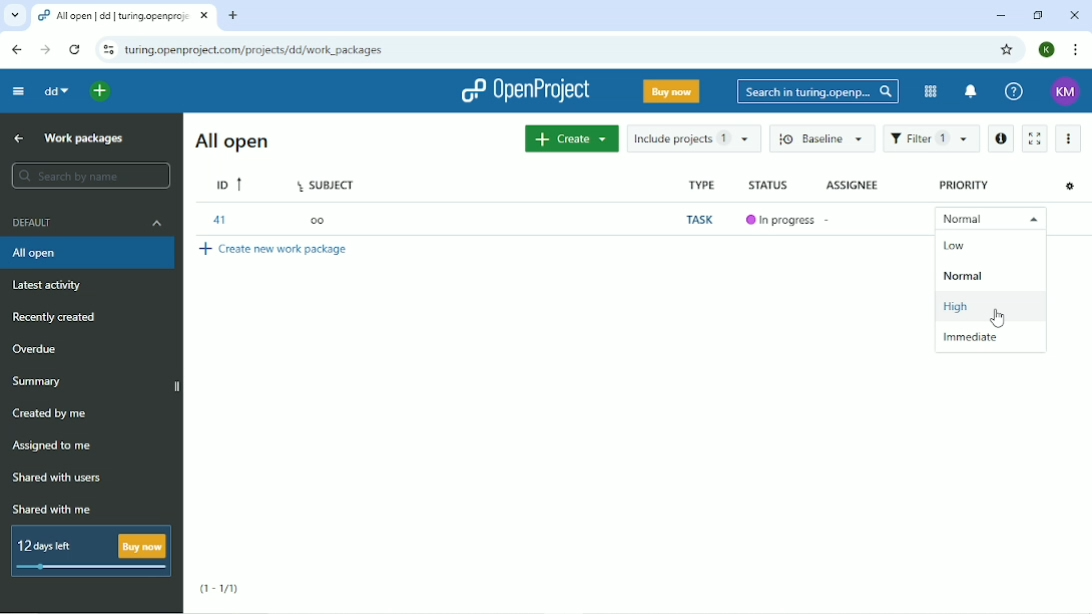  What do you see at coordinates (326, 184) in the screenshot?
I see `Subject` at bounding box center [326, 184].